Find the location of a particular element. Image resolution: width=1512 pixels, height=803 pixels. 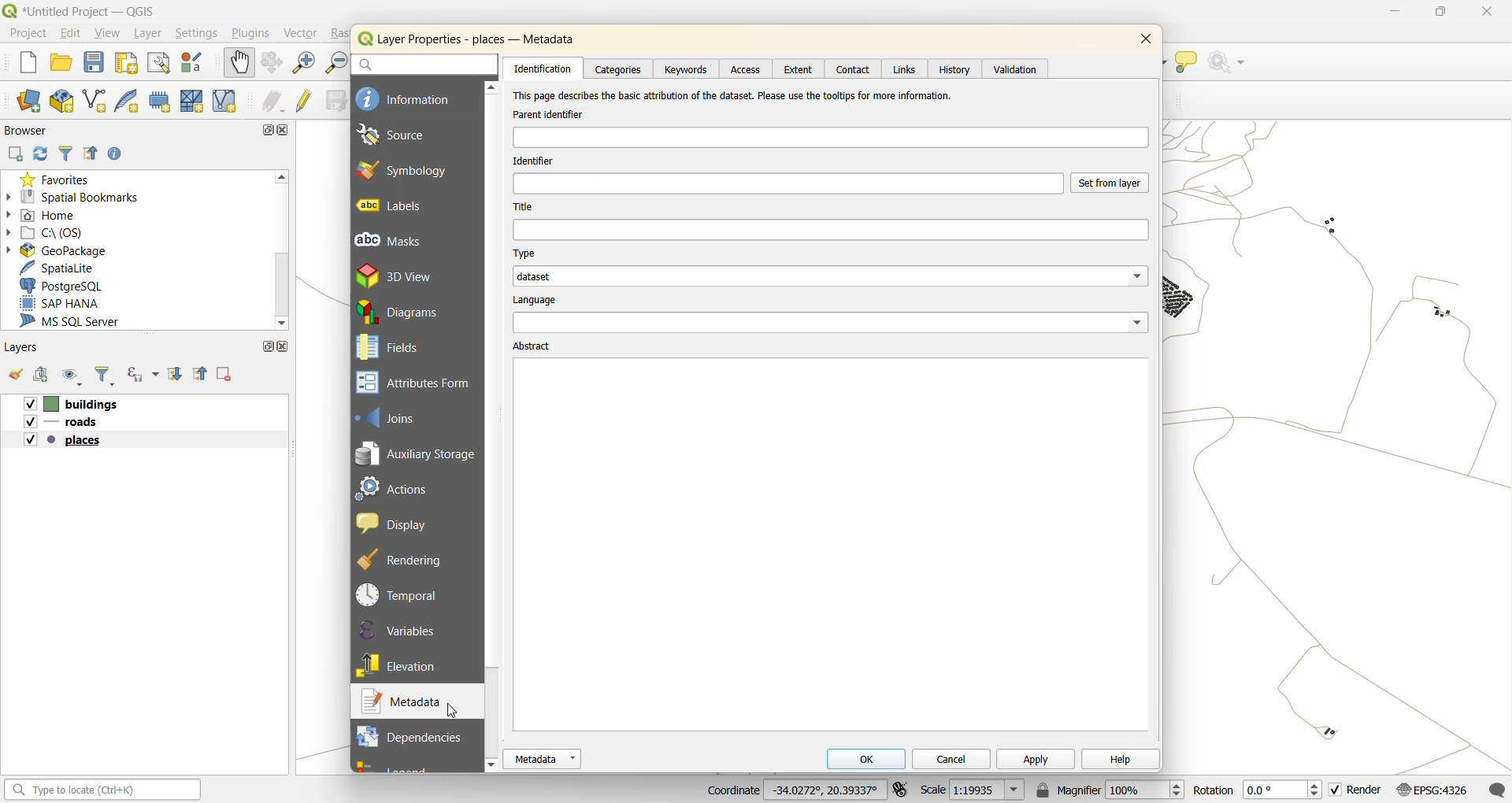

fields is located at coordinates (400, 346).